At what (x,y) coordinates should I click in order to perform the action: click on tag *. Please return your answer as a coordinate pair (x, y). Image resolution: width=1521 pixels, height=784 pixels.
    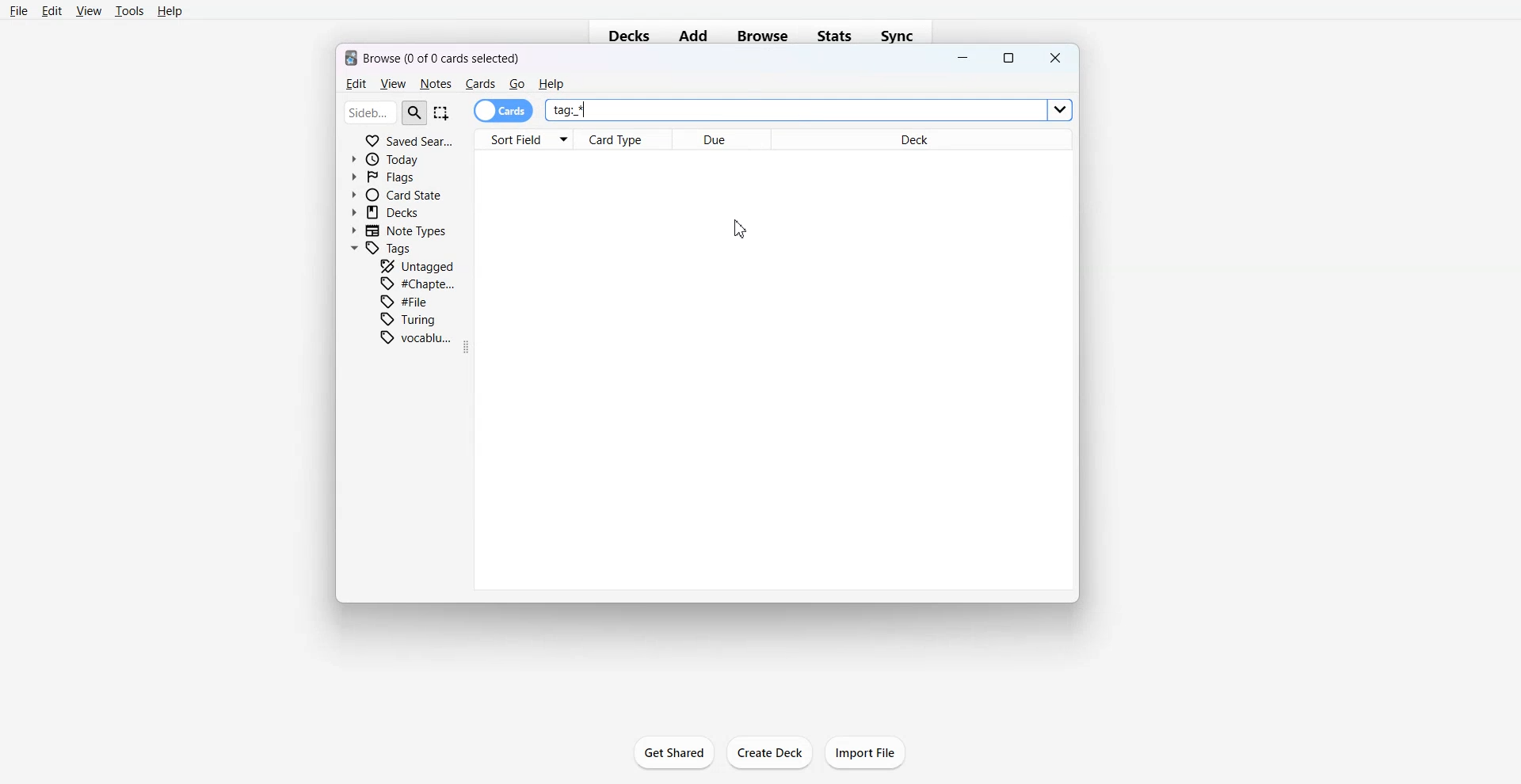
    Looking at the image, I should click on (808, 111).